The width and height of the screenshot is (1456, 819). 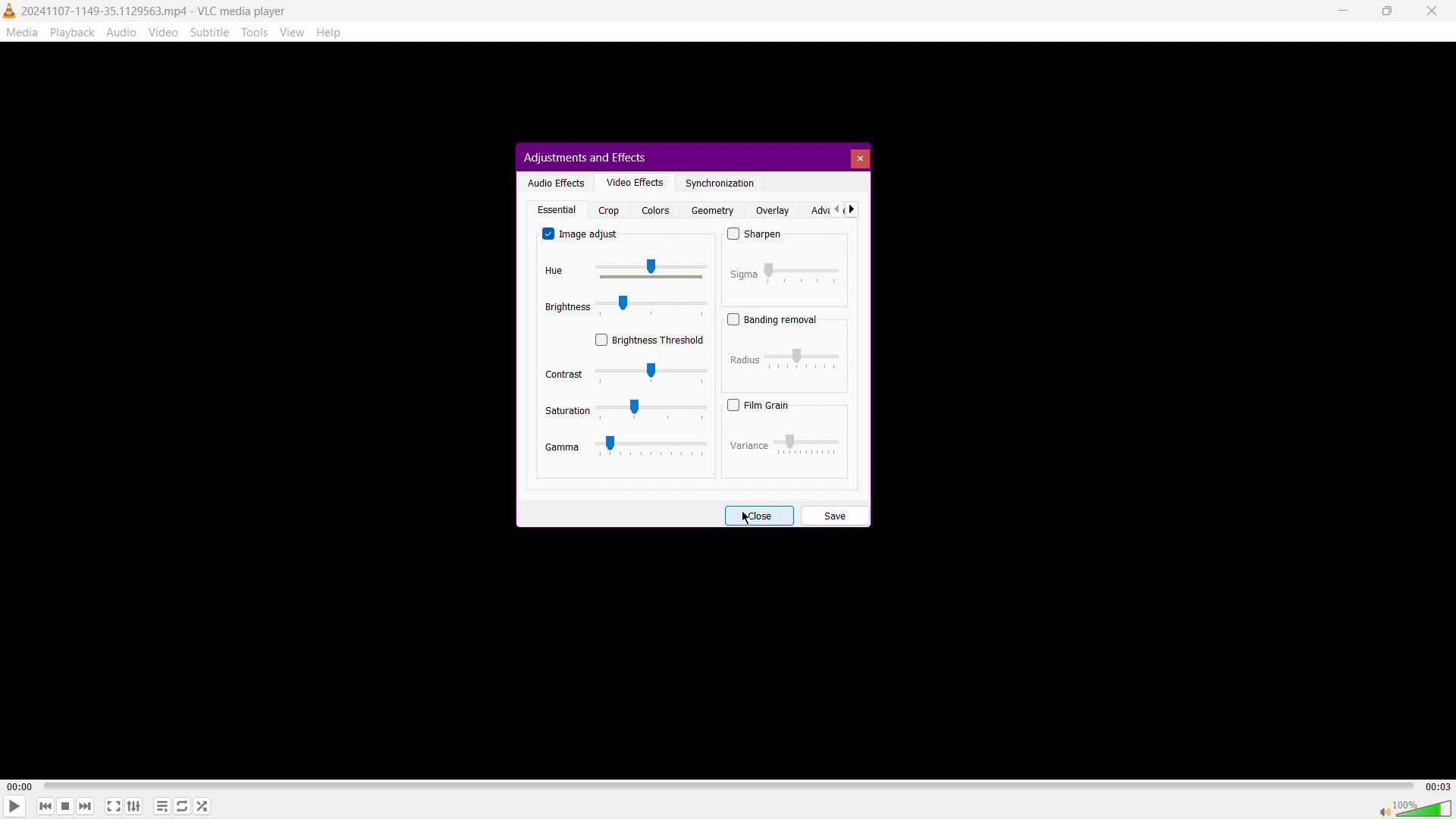 What do you see at coordinates (1414, 808) in the screenshot?
I see `Volume 100%` at bounding box center [1414, 808].